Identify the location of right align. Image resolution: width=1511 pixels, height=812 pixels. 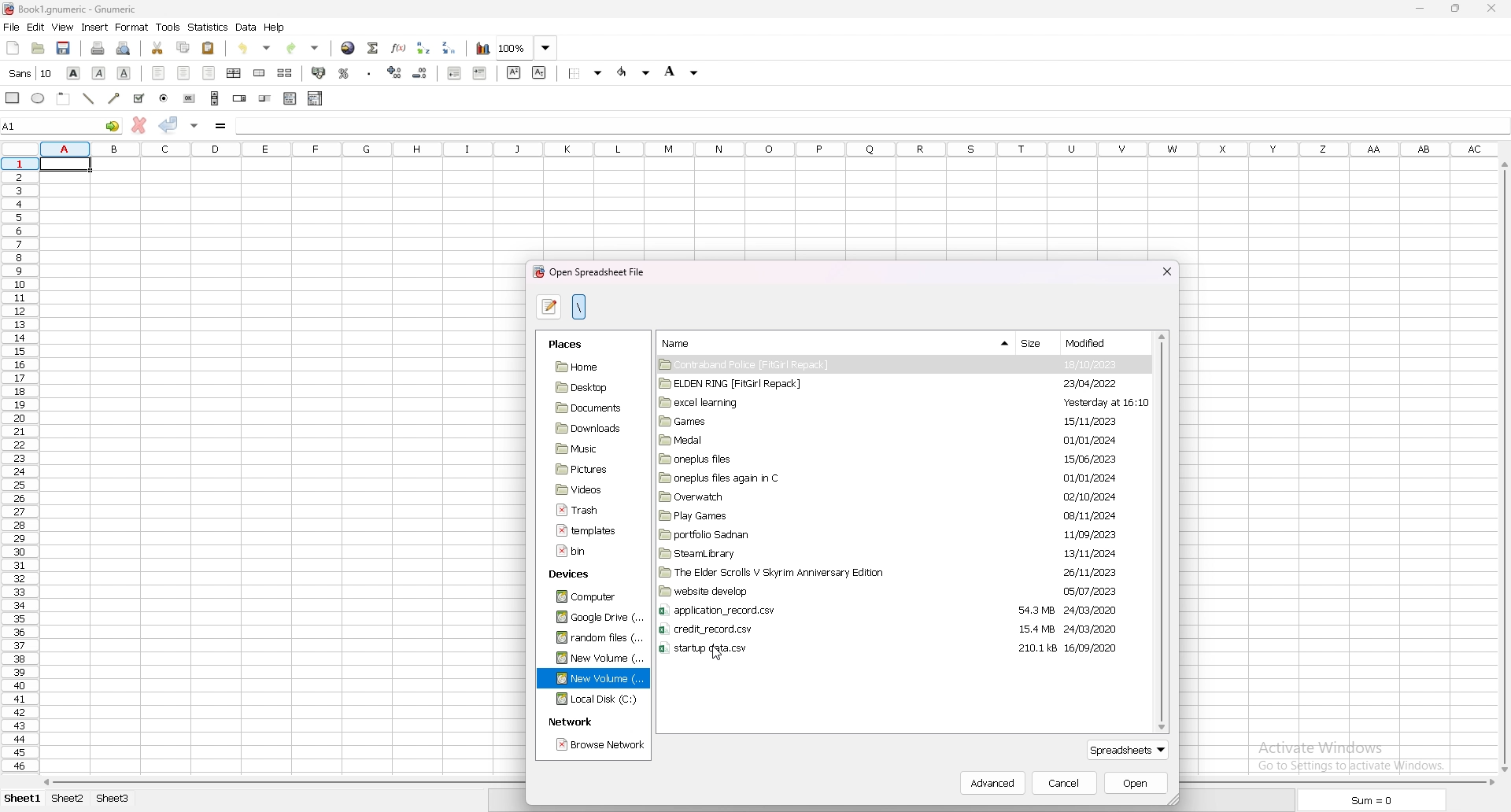
(209, 72).